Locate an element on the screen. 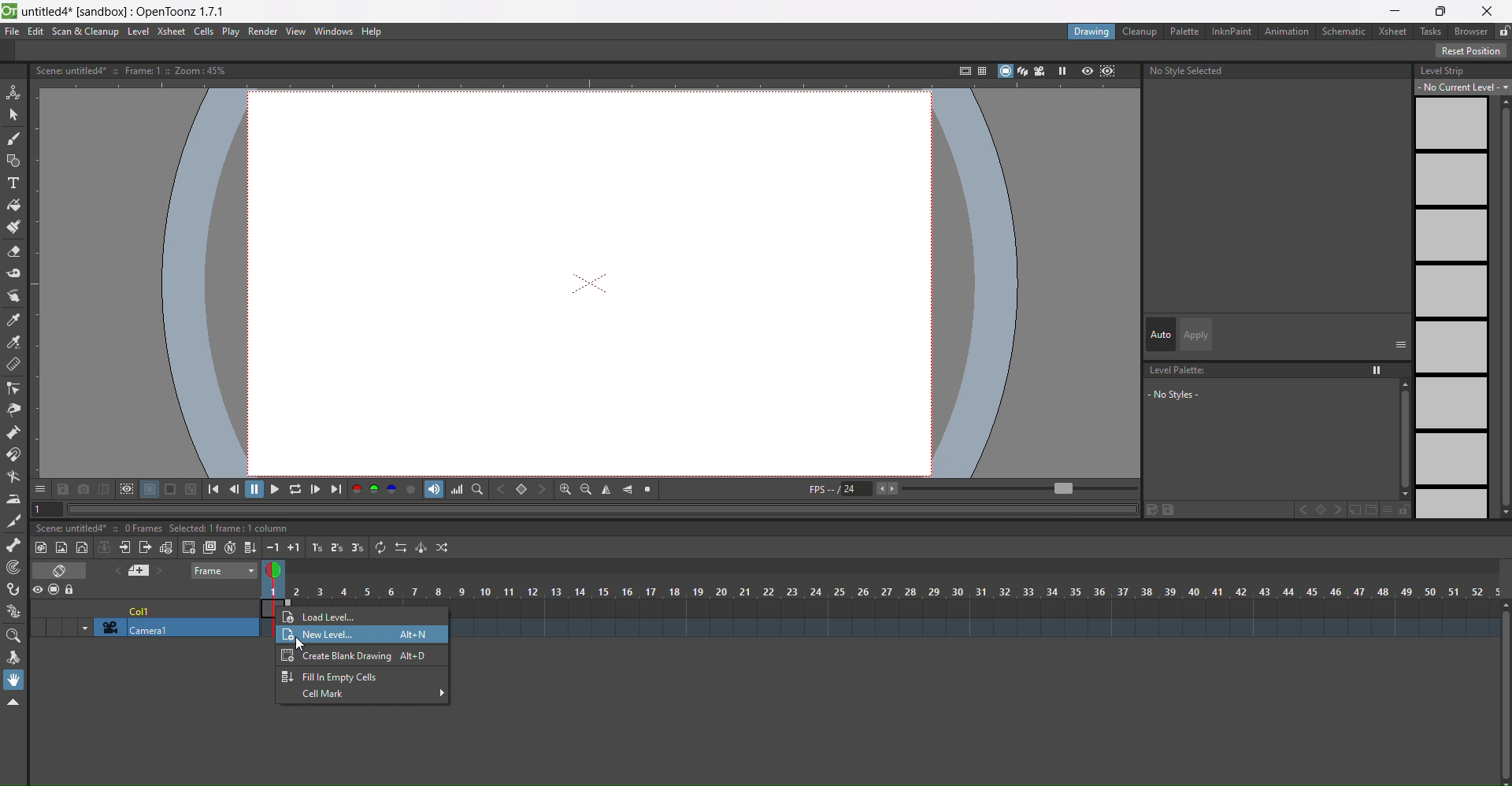 The height and width of the screenshot is (786, 1512). cells is located at coordinates (206, 32).